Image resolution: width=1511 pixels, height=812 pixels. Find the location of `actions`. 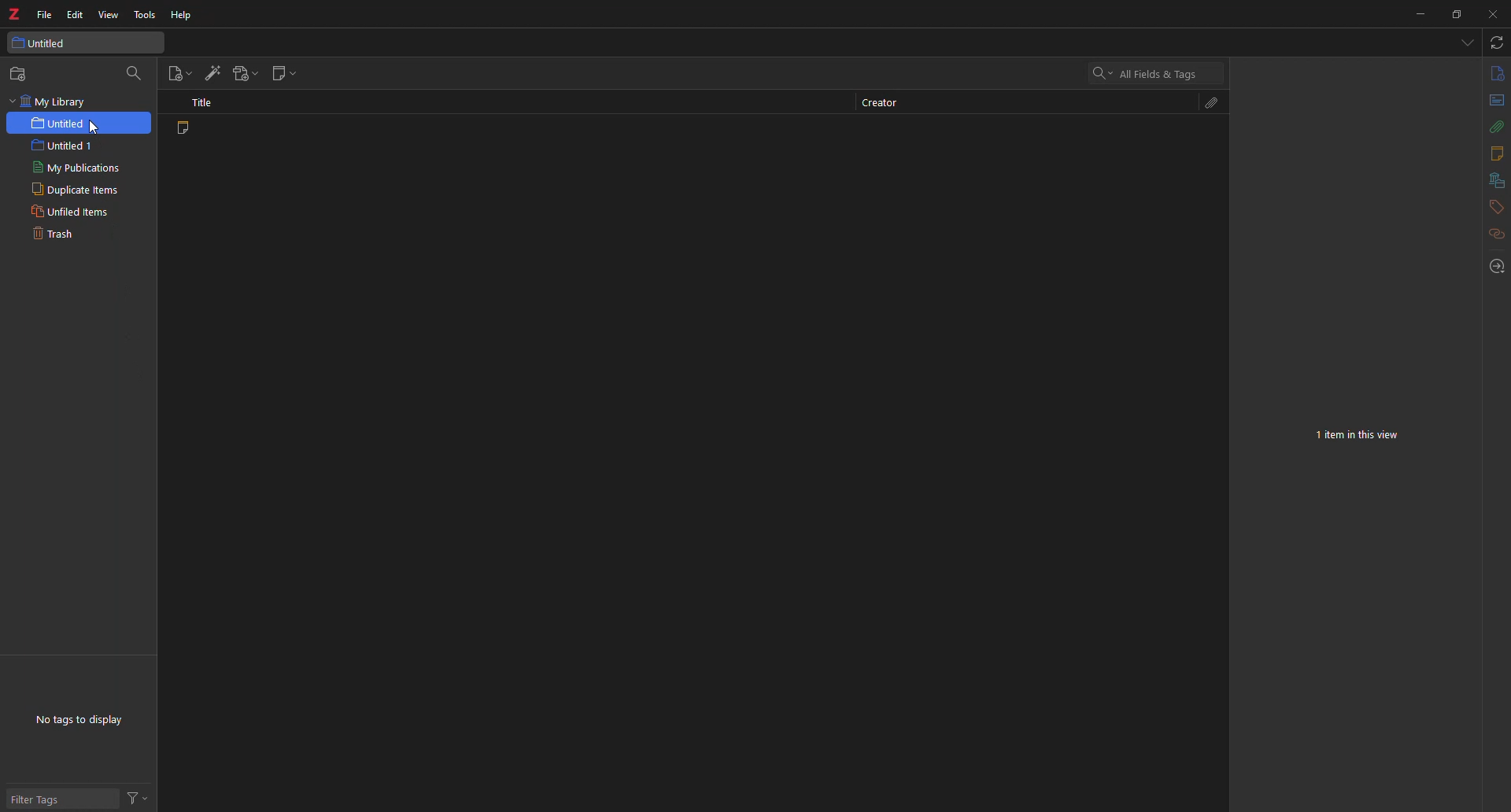

actions is located at coordinates (140, 798).